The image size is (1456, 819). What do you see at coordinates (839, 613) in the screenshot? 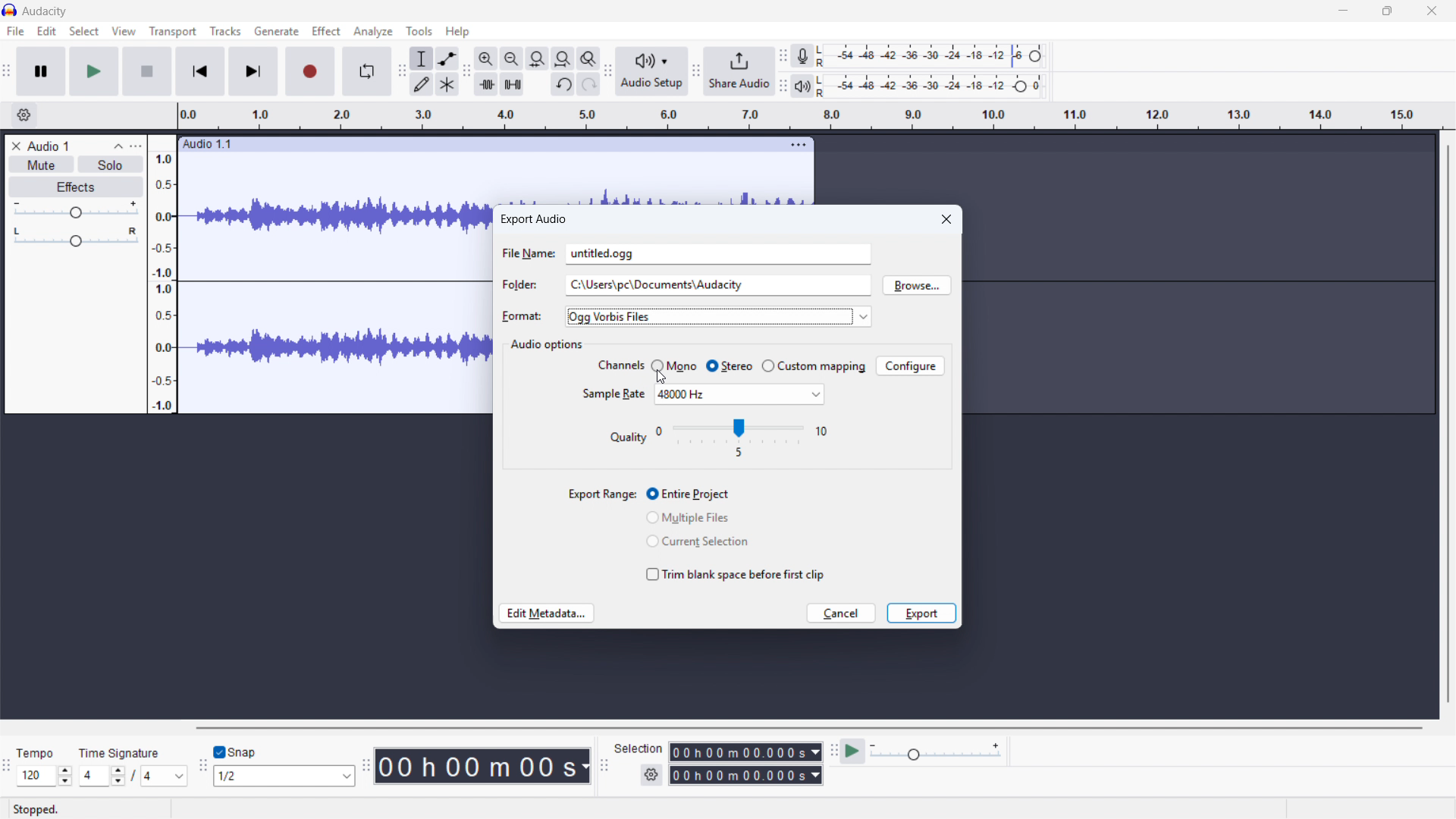
I see `cancel ` at bounding box center [839, 613].